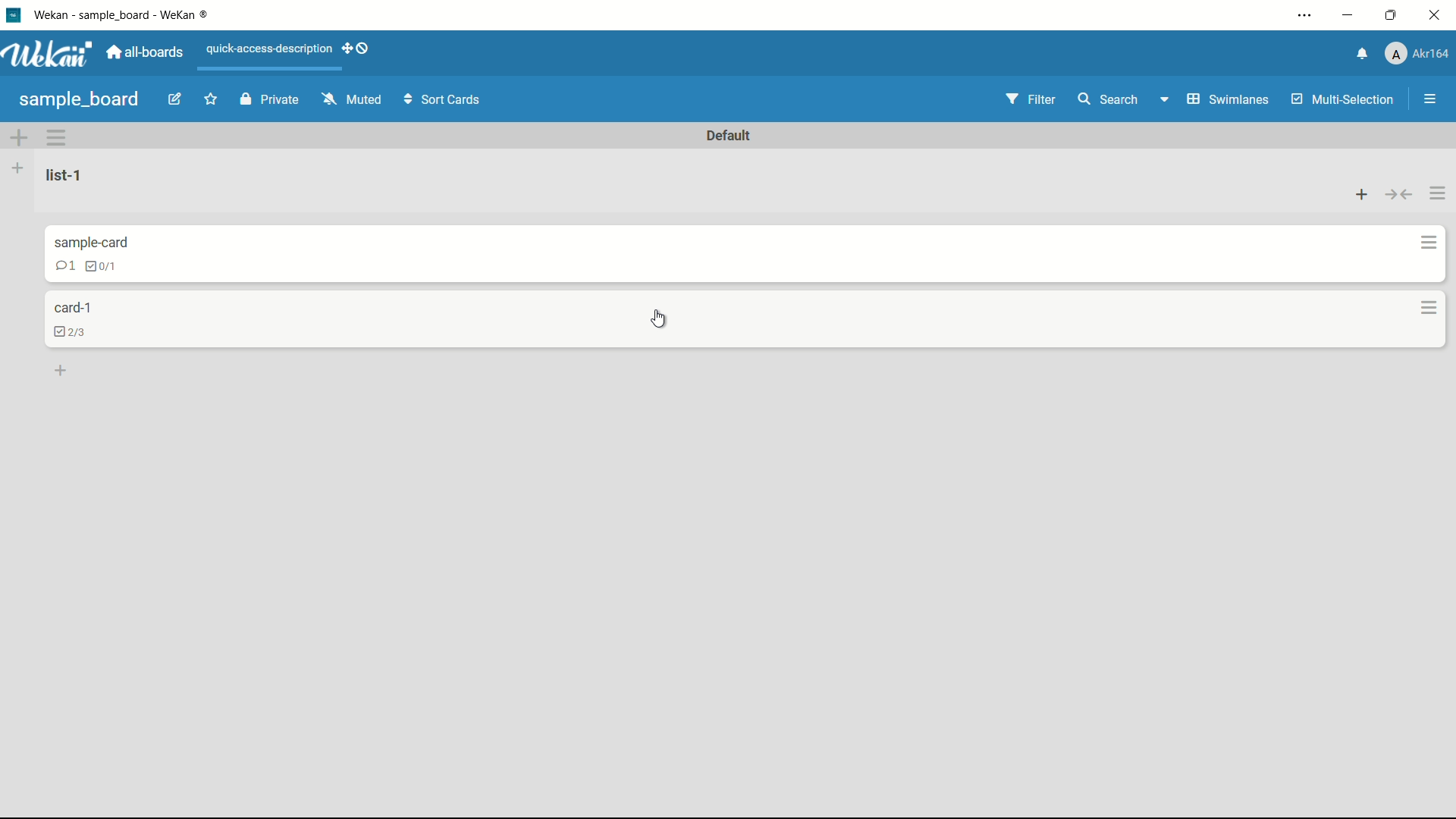 The height and width of the screenshot is (819, 1456). I want to click on quick-access-description, so click(270, 50).